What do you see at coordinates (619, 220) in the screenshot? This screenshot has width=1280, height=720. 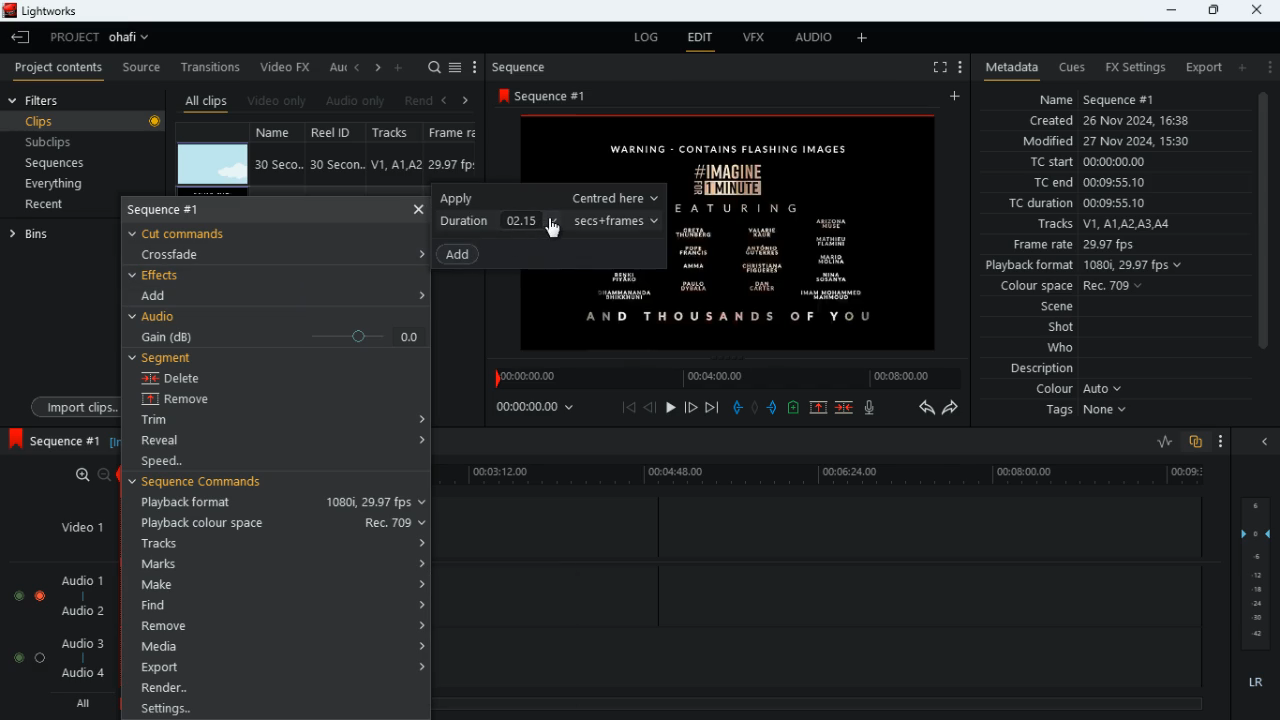 I see `secs + frames` at bounding box center [619, 220].